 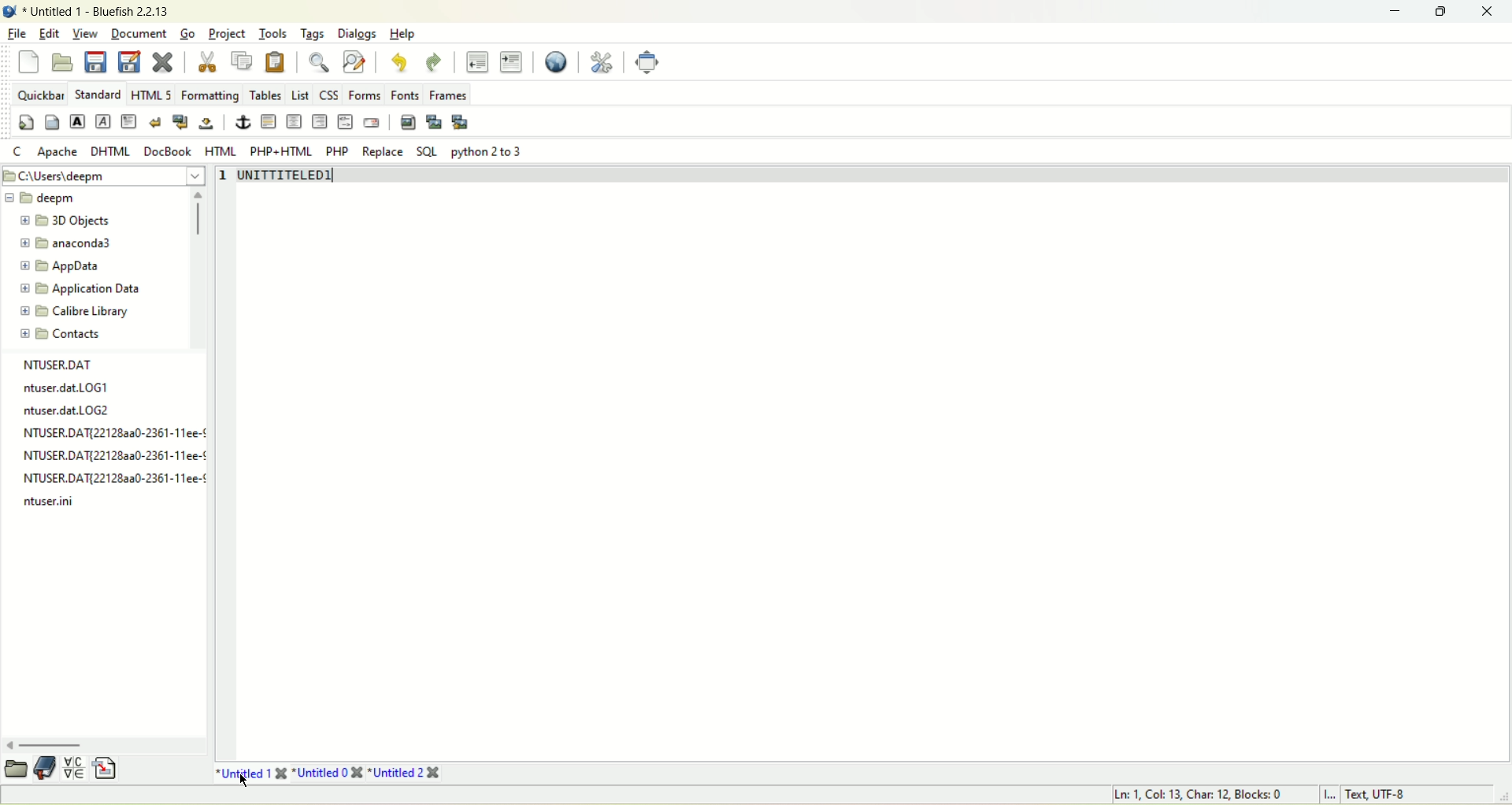 I want to click on python 2to 3, so click(x=493, y=151).